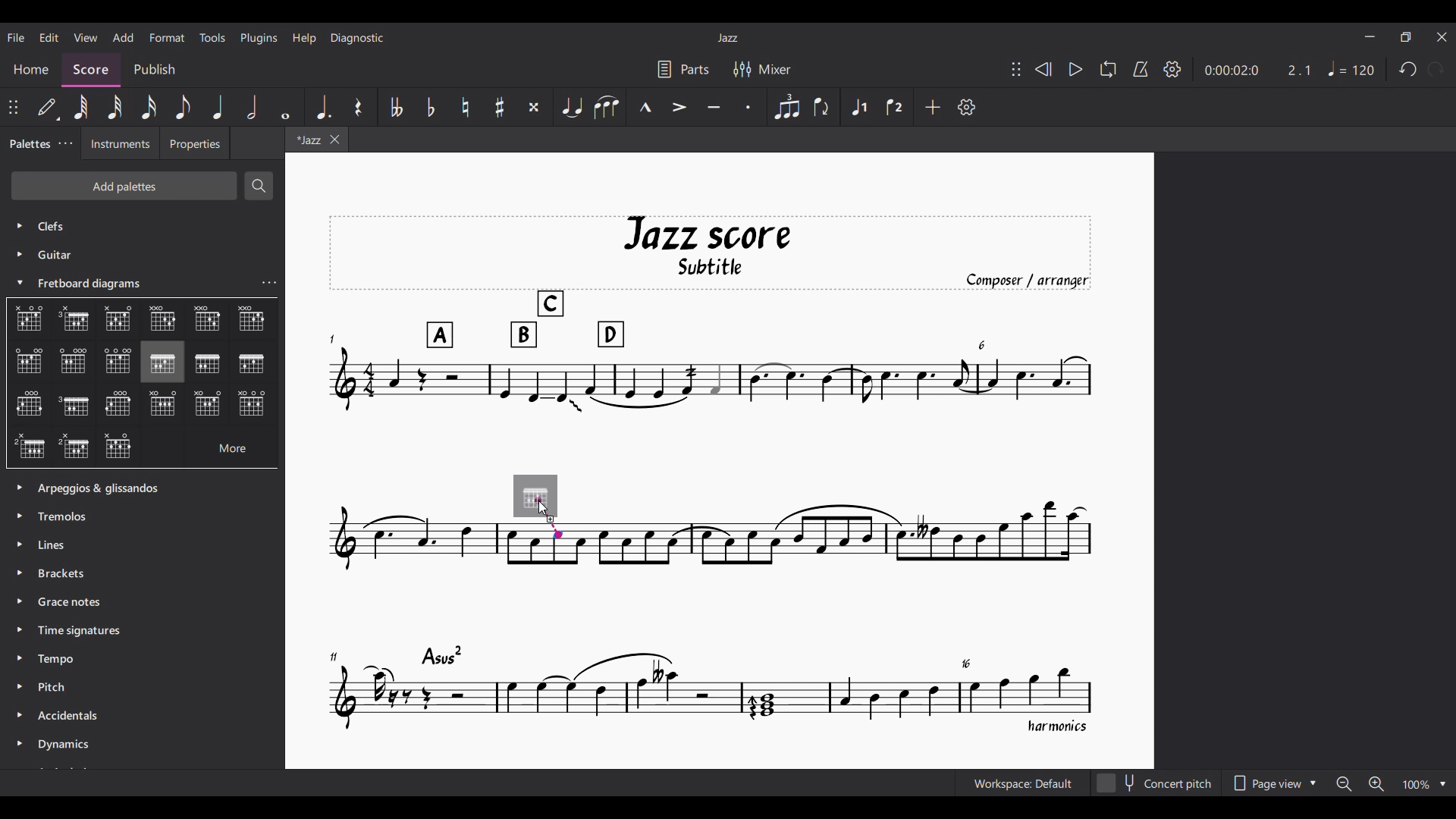  I want to click on Show in smaller tab, so click(1406, 37).